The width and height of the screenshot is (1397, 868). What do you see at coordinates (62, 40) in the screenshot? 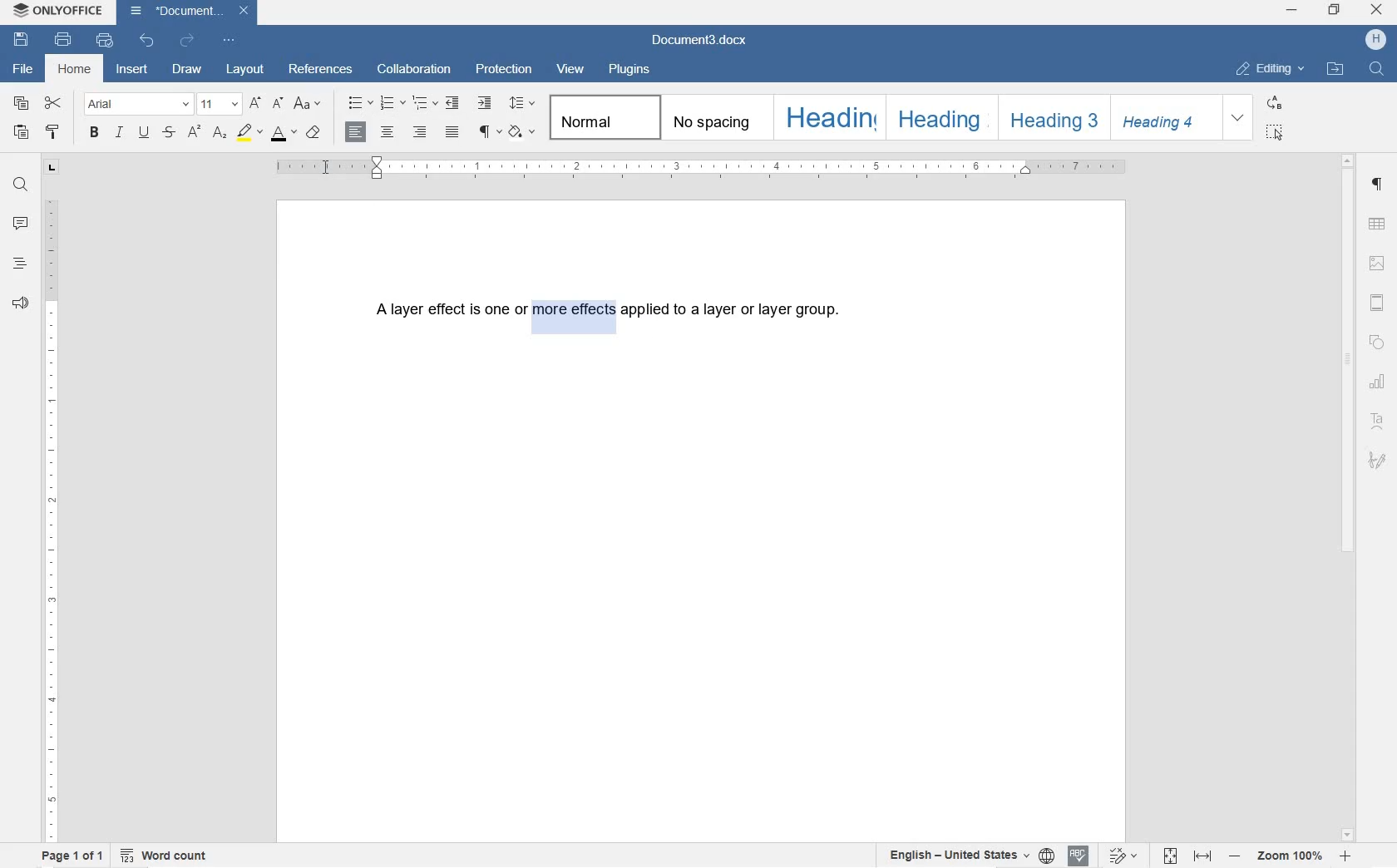
I see `PRINT` at bounding box center [62, 40].